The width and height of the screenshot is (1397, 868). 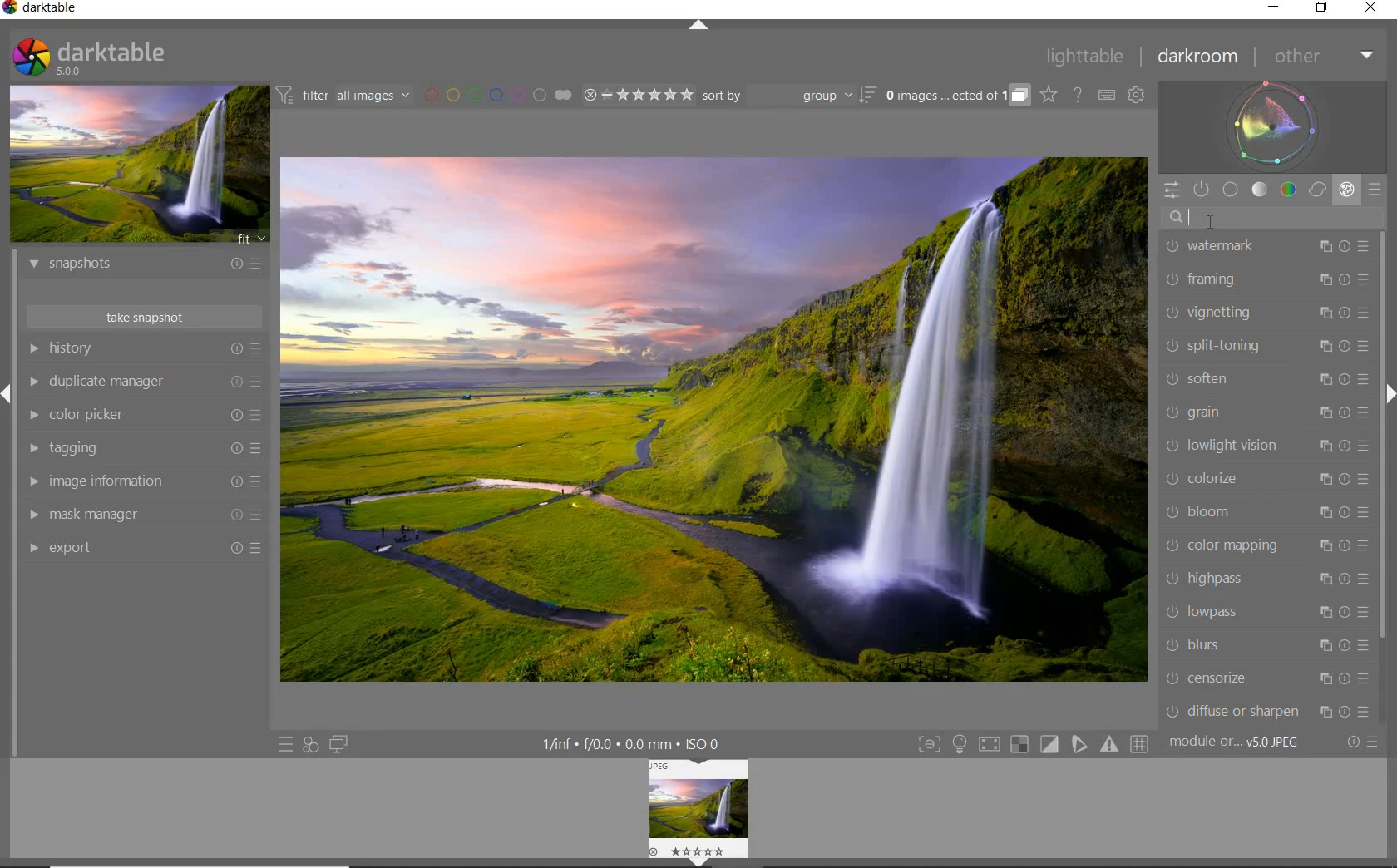 What do you see at coordinates (1189, 219) in the screenshot?
I see `EDITOR` at bounding box center [1189, 219].